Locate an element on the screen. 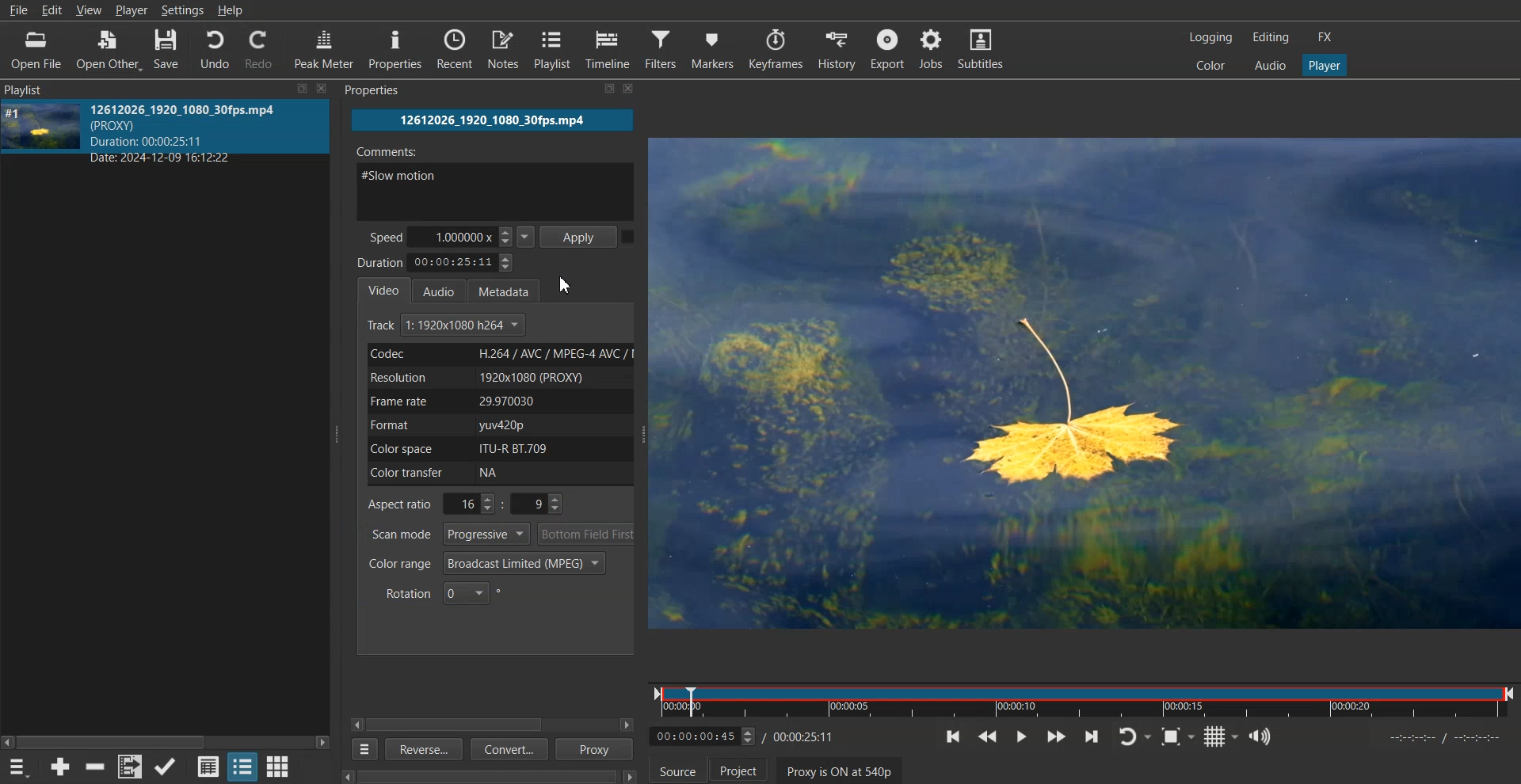  View as tile is located at coordinates (242, 766).